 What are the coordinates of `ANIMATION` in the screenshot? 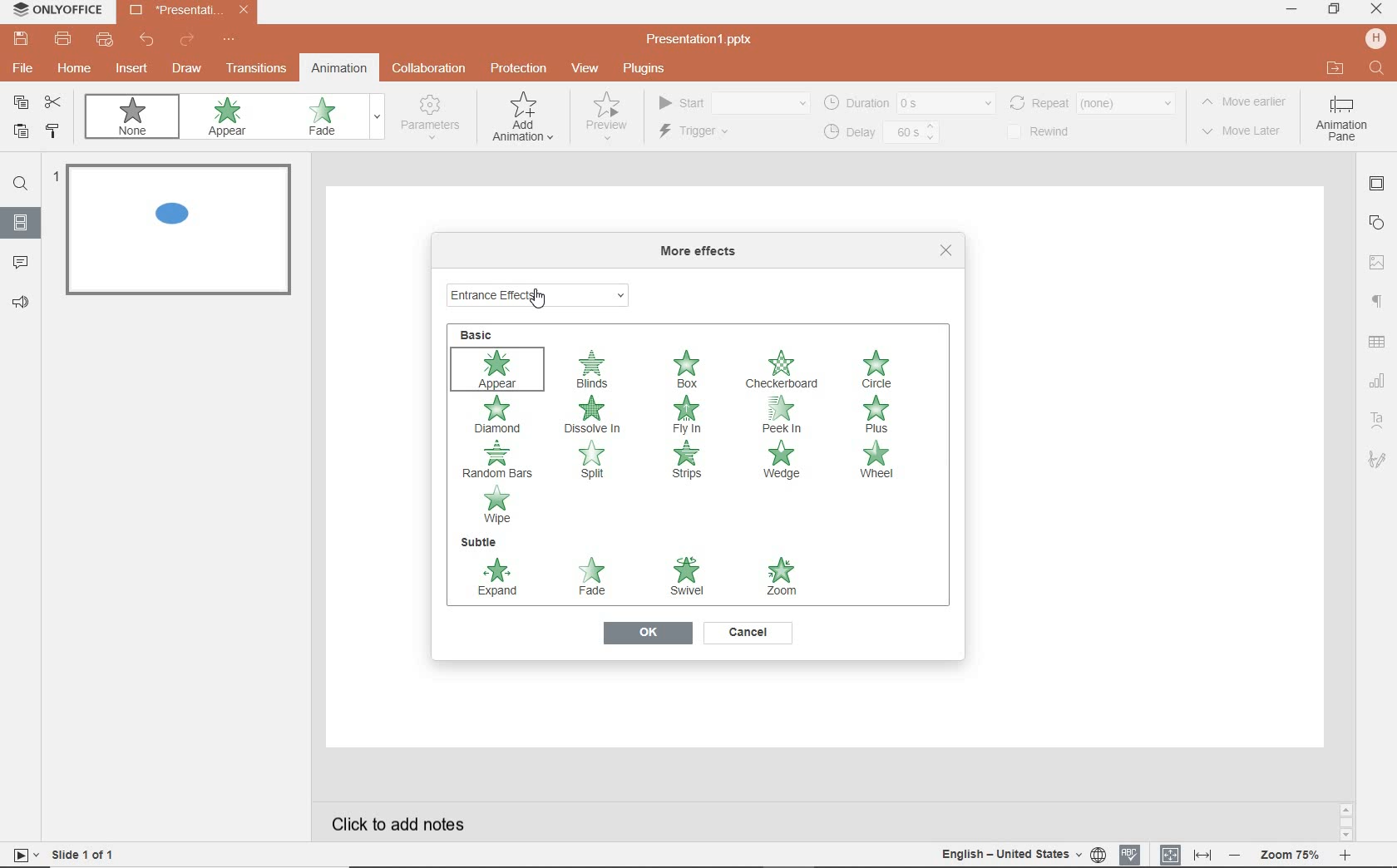 It's located at (523, 121).